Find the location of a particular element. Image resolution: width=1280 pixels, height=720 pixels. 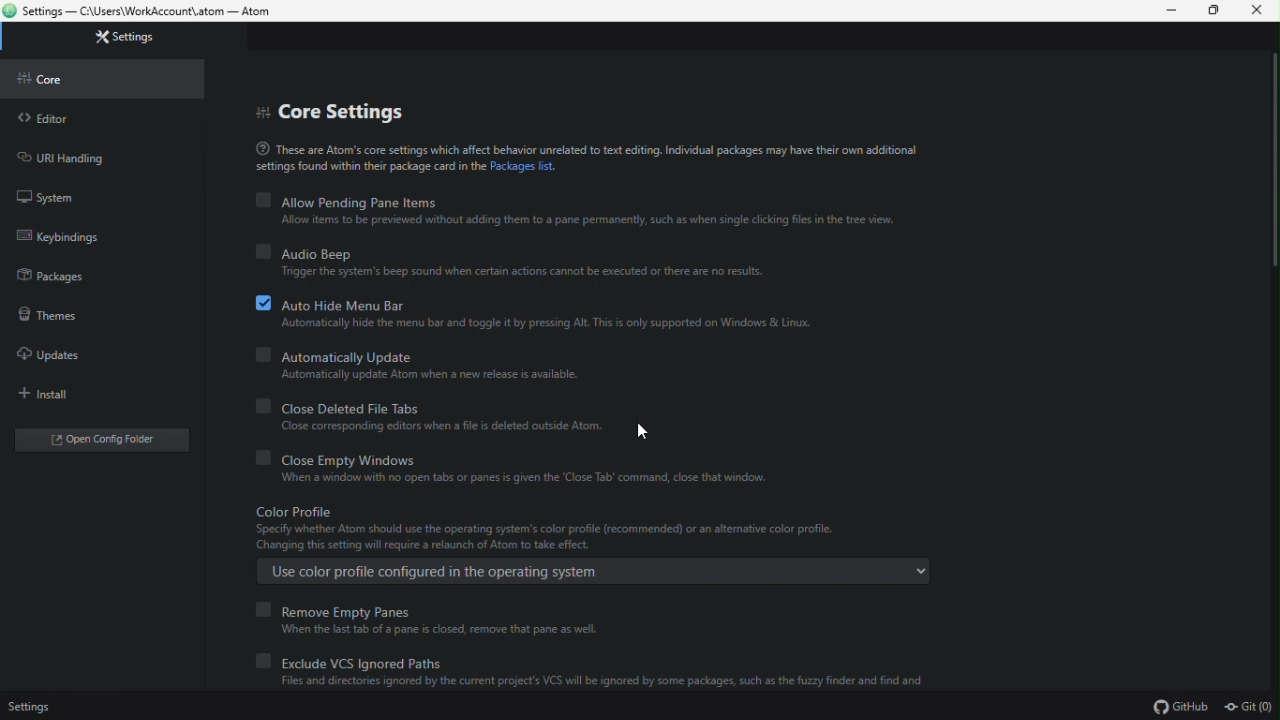

These are Atom's core settings which affect behavior unrelated to text editing. Individual packages may have their own additional is located at coordinates (595, 148).